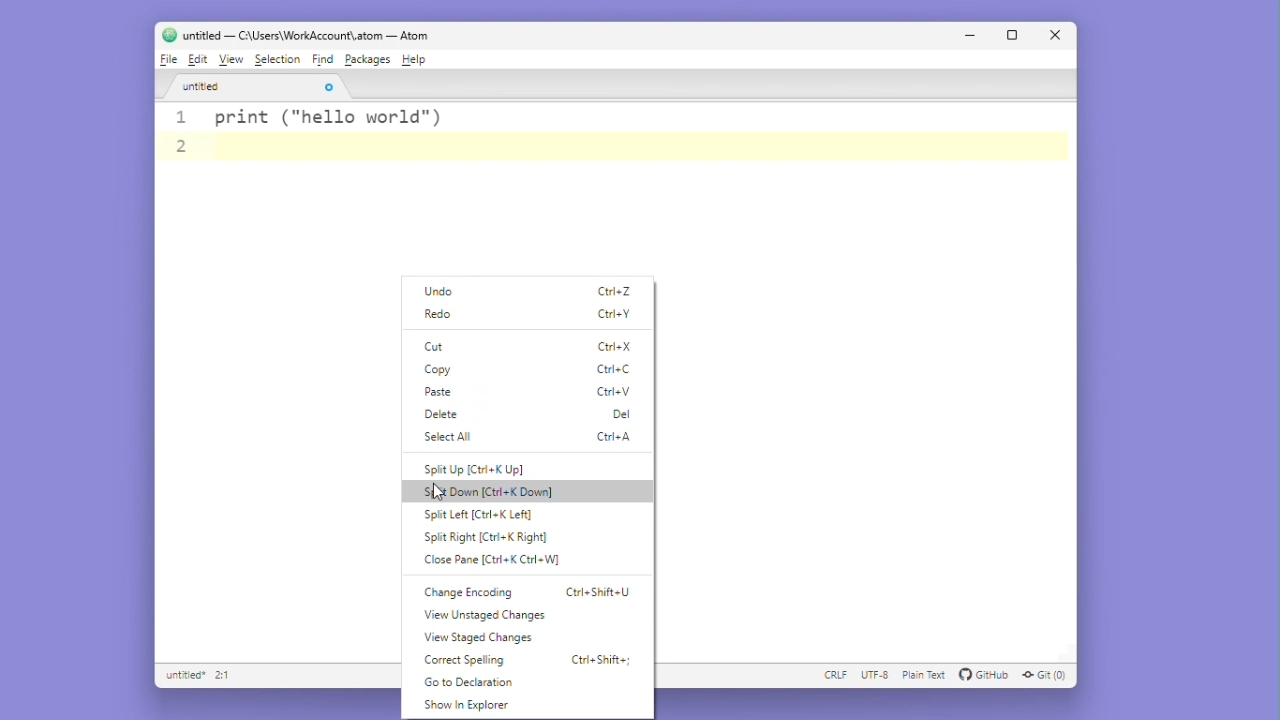 The image size is (1280, 720). Describe the element at coordinates (985, 676) in the screenshot. I see `github` at that location.